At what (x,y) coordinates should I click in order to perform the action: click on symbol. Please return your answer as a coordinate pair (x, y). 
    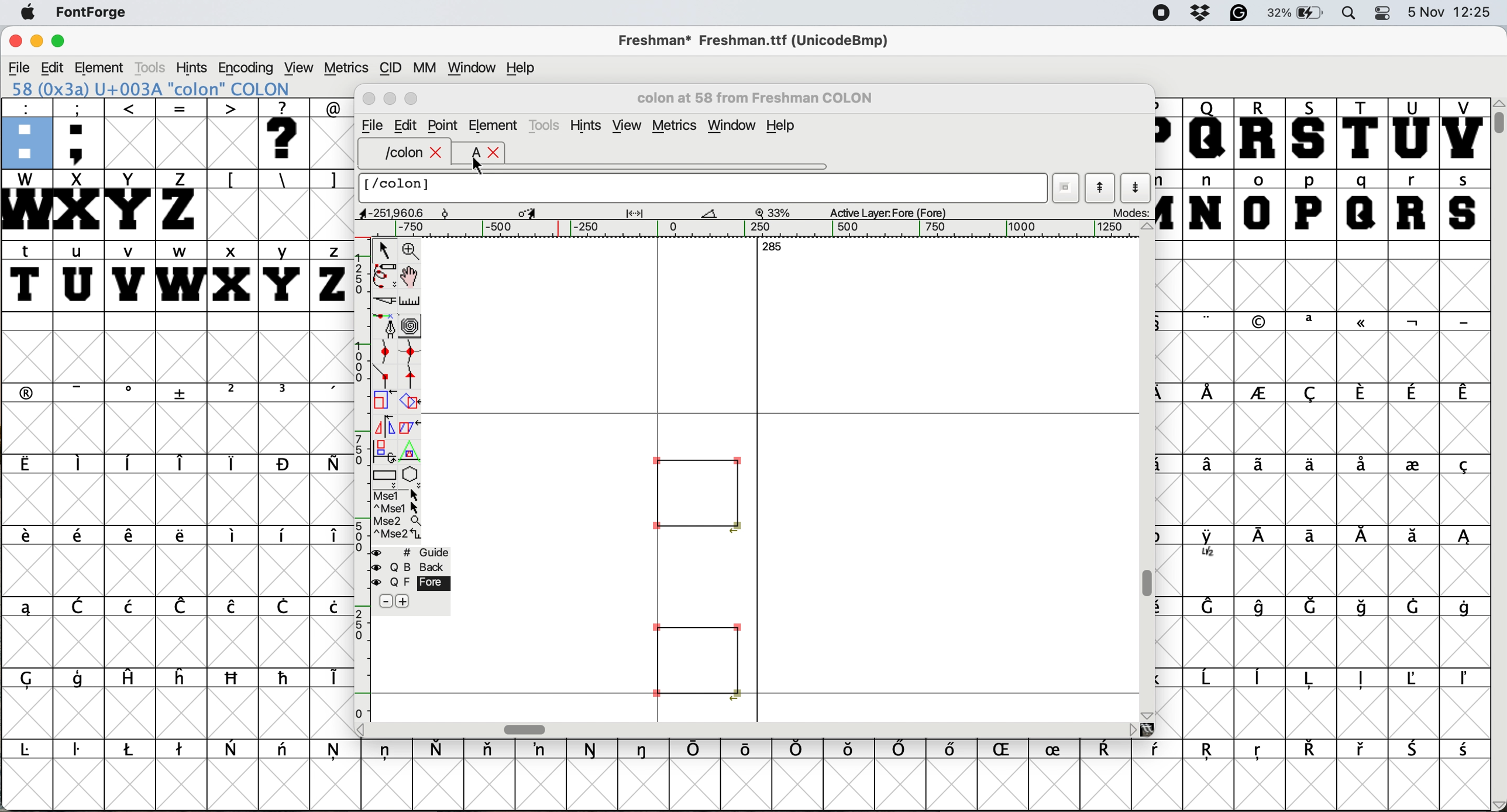
    Looking at the image, I should click on (1264, 607).